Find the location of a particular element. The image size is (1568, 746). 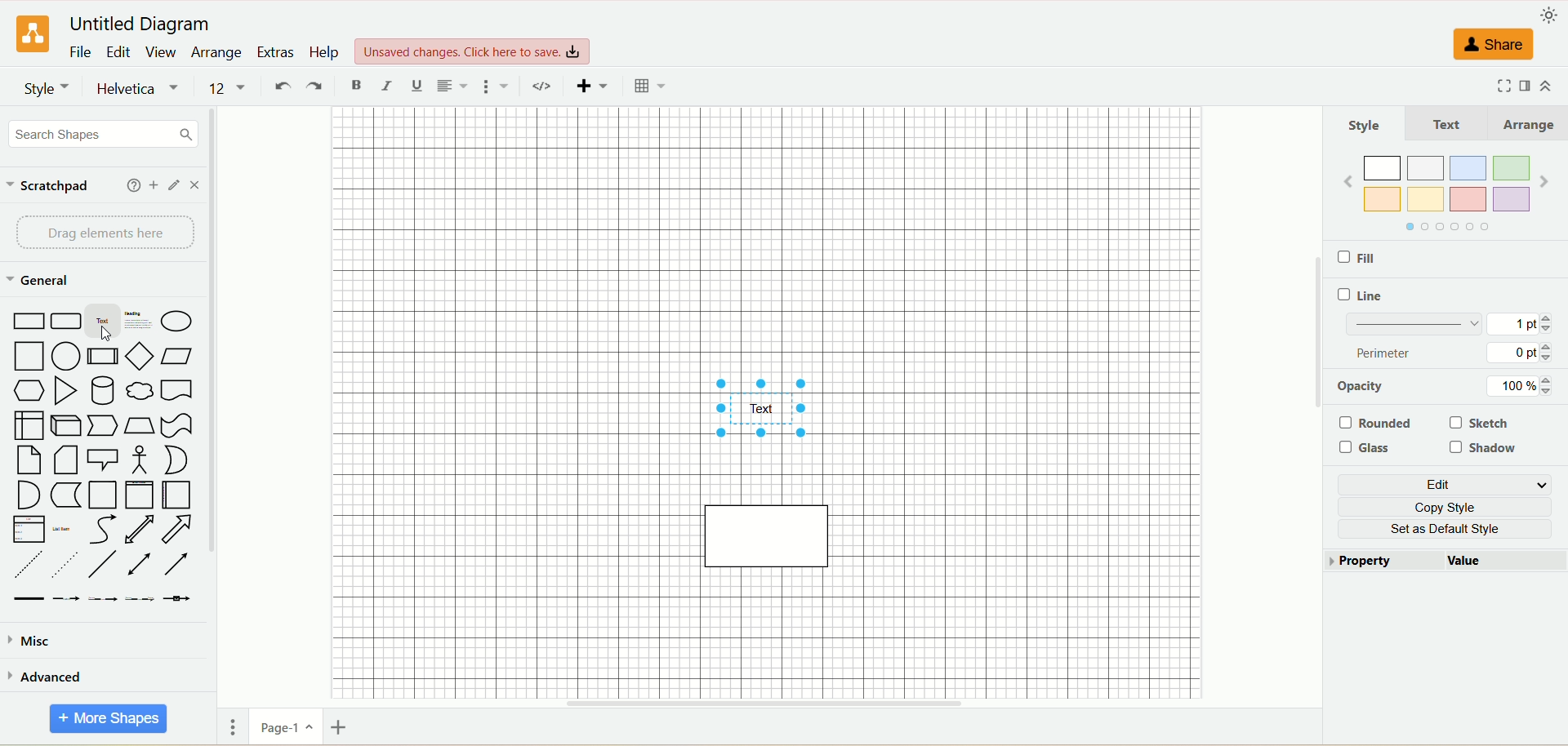

expand/collapse is located at coordinates (1552, 85).